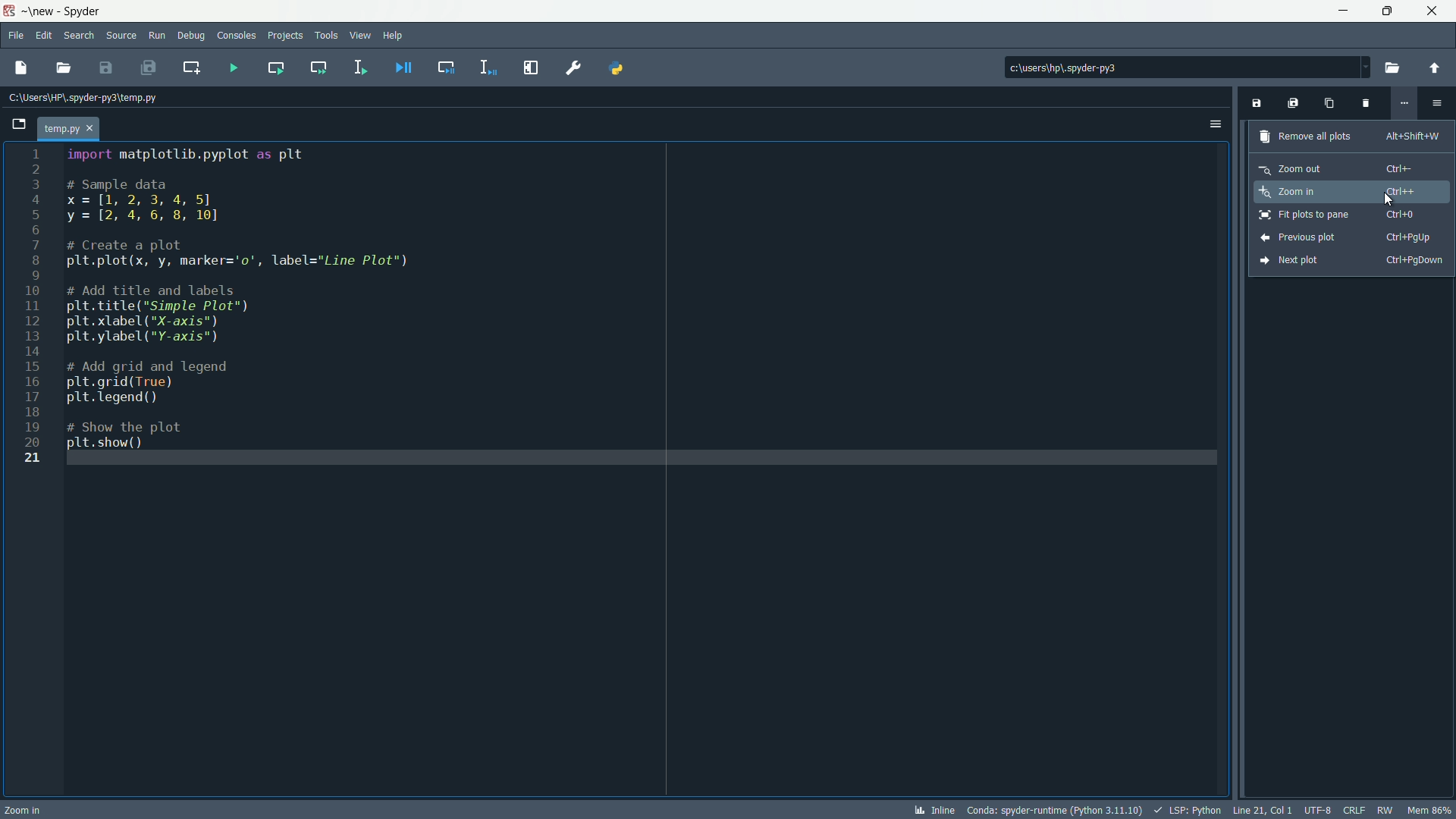 The height and width of the screenshot is (819, 1456). I want to click on rw, so click(1385, 808).